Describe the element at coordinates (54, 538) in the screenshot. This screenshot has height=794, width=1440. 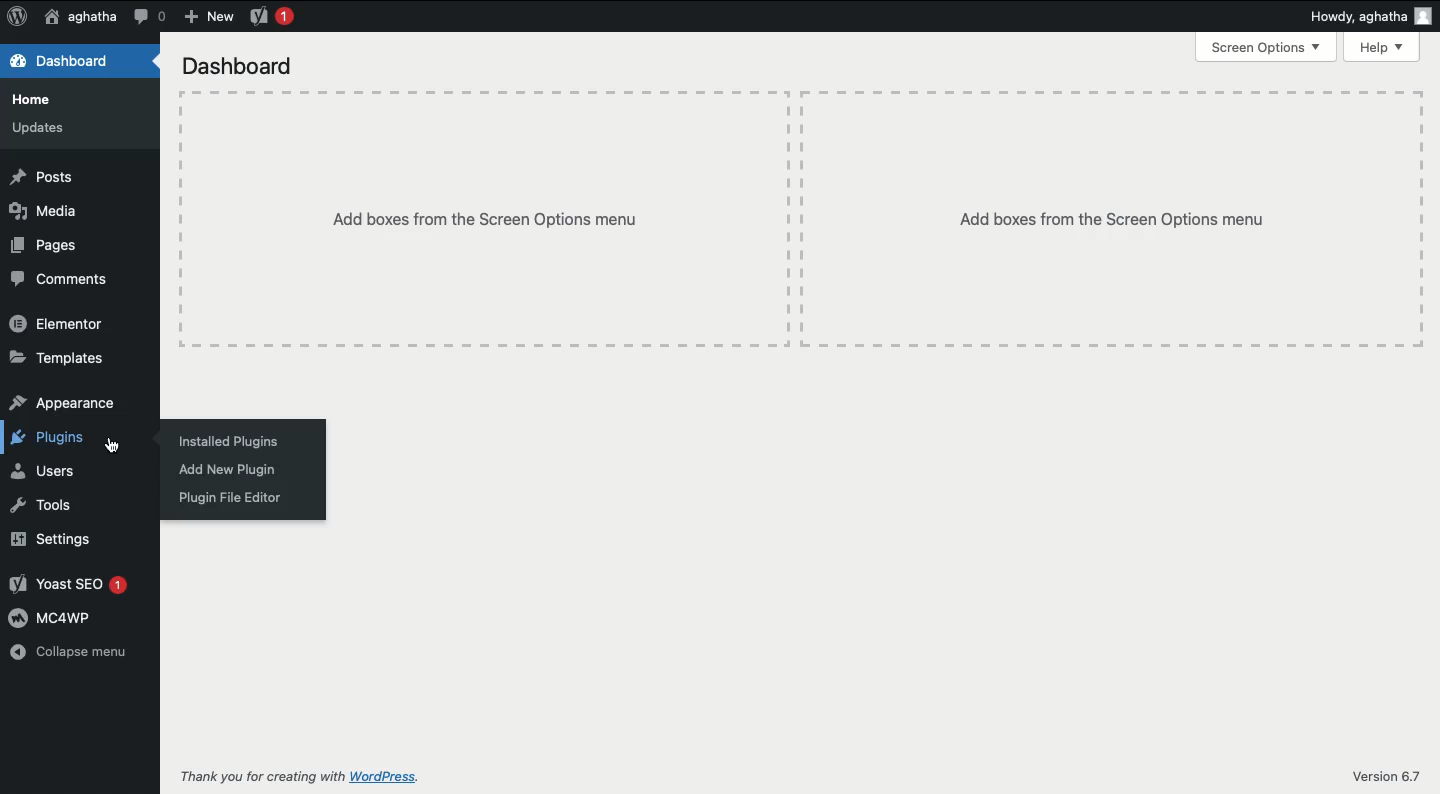
I see `Settings` at that location.